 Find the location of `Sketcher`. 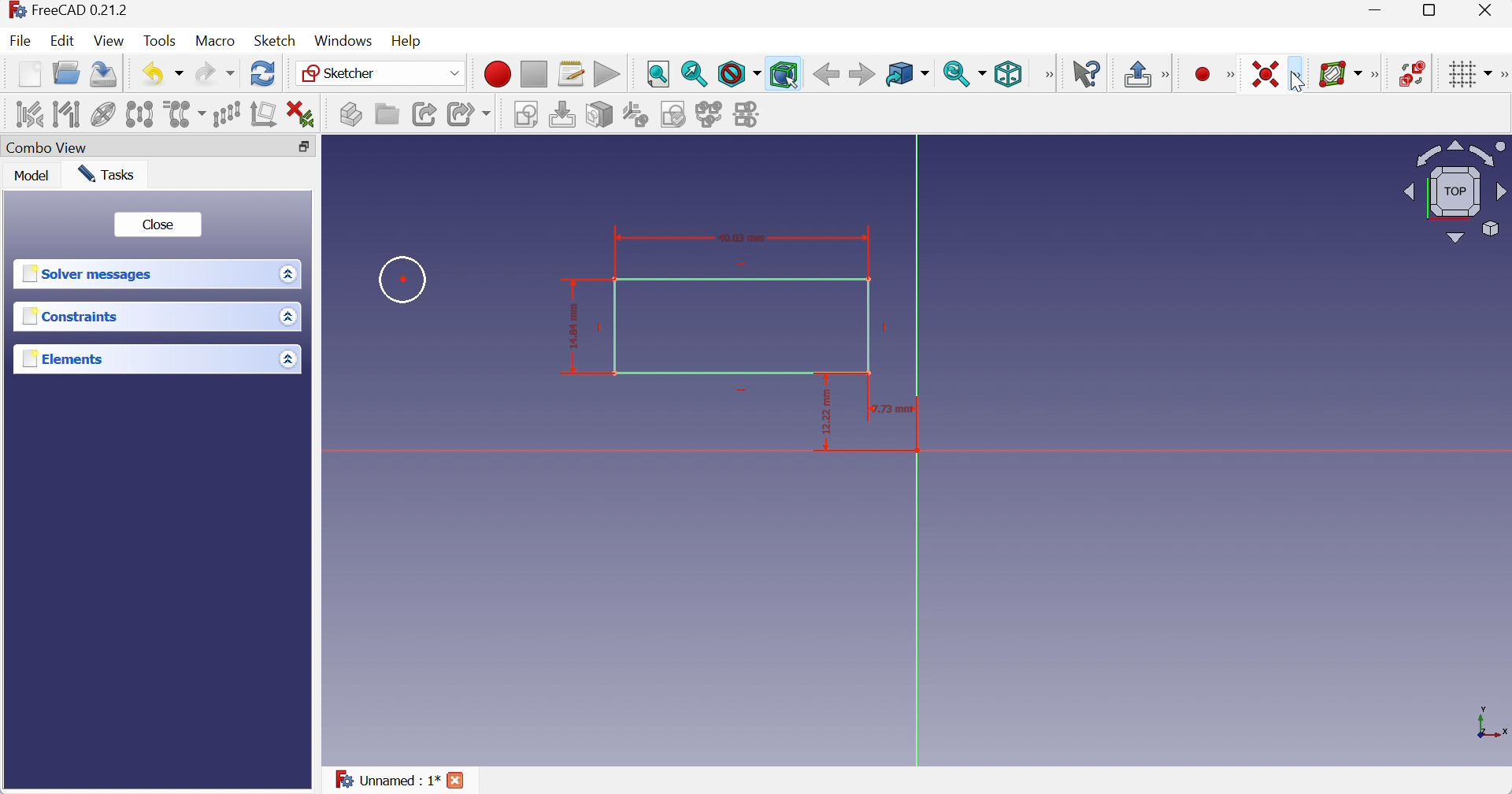

Sketcher is located at coordinates (384, 74).